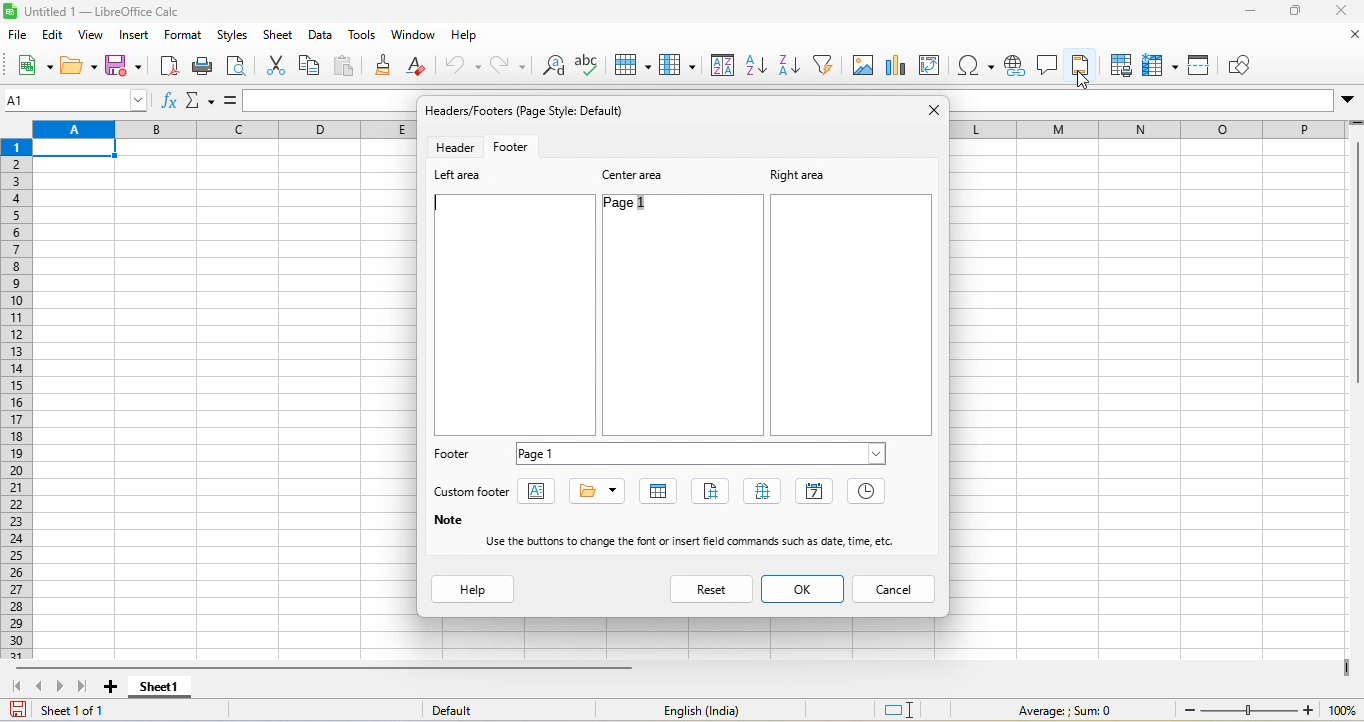  What do you see at coordinates (1344, 38) in the screenshot?
I see `close` at bounding box center [1344, 38].